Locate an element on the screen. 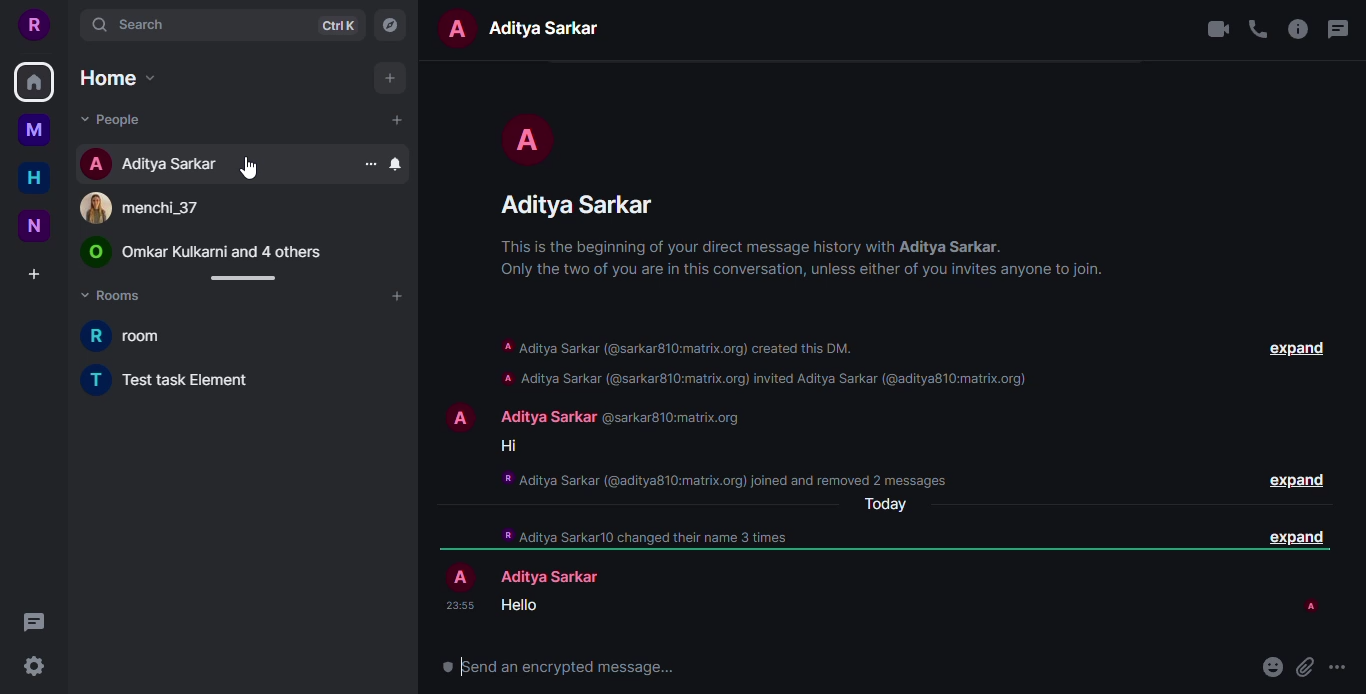  search is located at coordinates (131, 24).